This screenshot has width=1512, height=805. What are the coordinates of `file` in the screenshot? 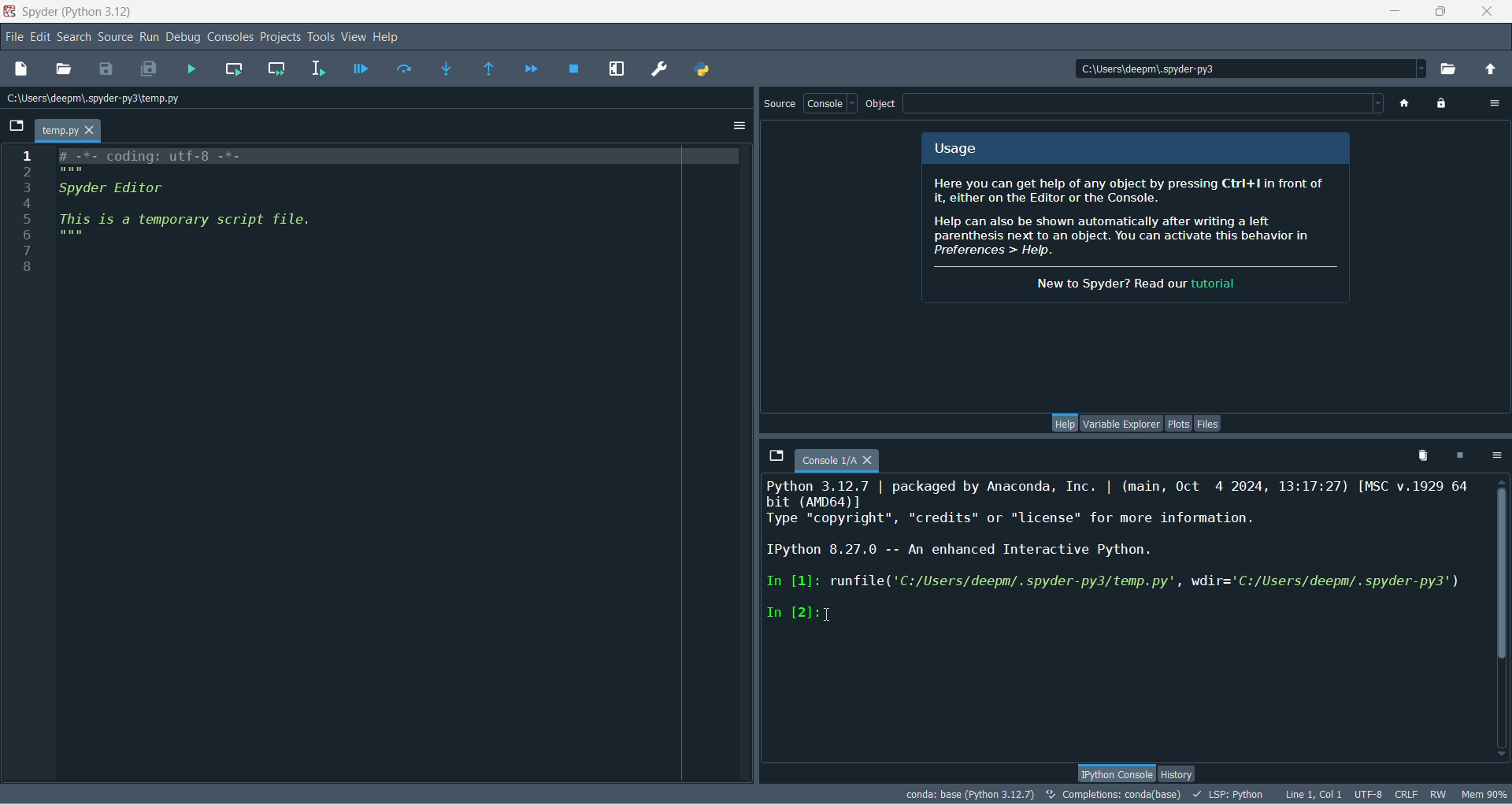 It's located at (16, 38).